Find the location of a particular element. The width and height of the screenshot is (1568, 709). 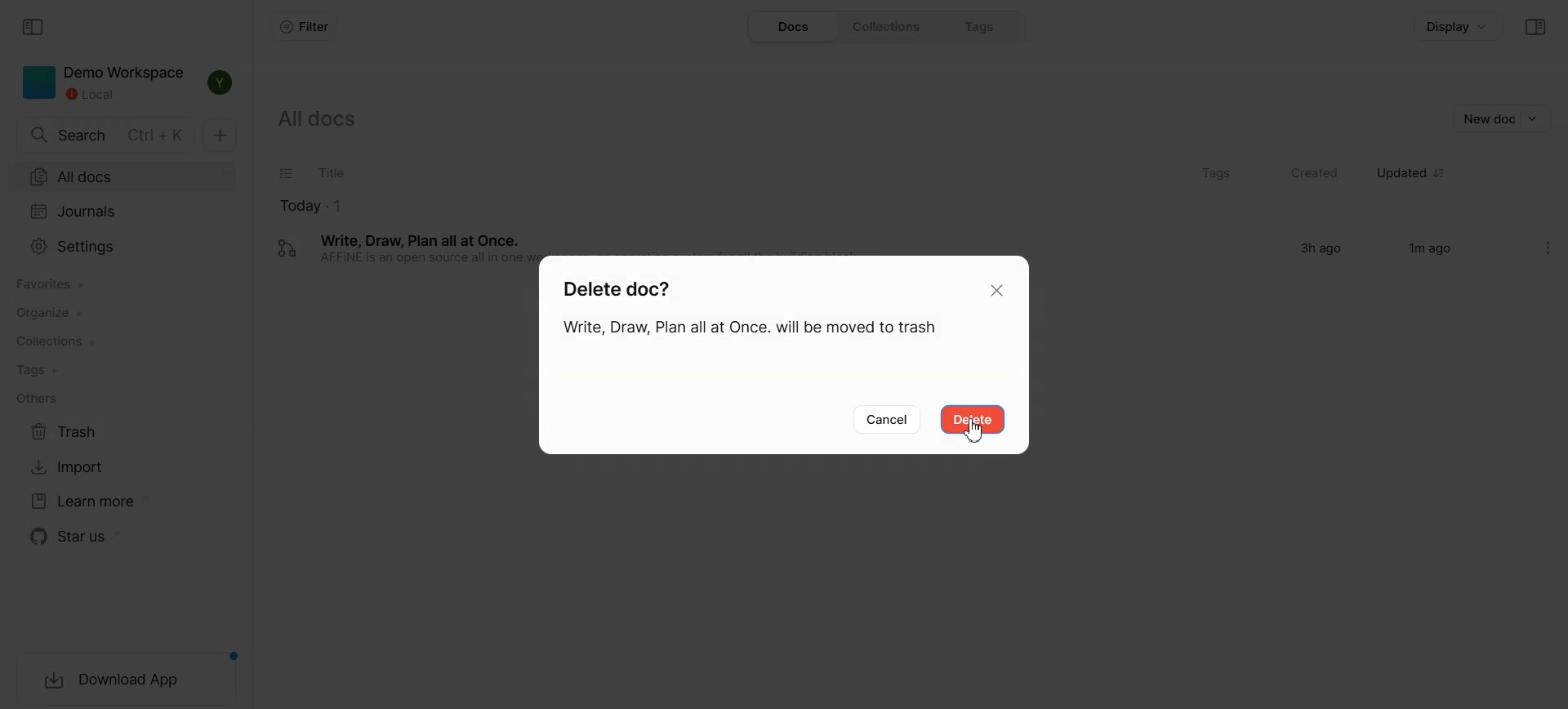

Organize is located at coordinates (121, 315).